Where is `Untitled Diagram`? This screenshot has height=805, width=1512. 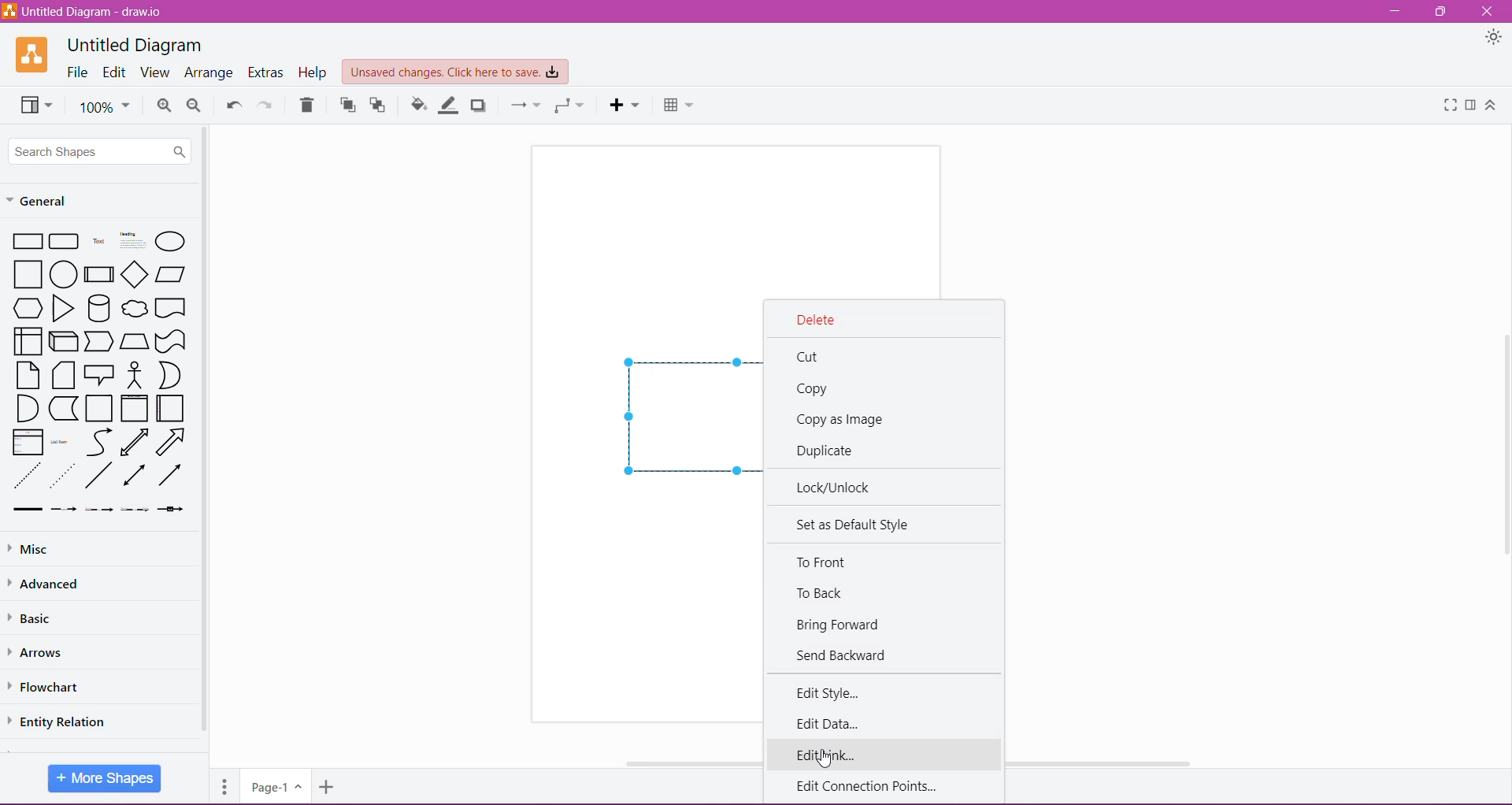
Untitled Diagram is located at coordinates (137, 46).